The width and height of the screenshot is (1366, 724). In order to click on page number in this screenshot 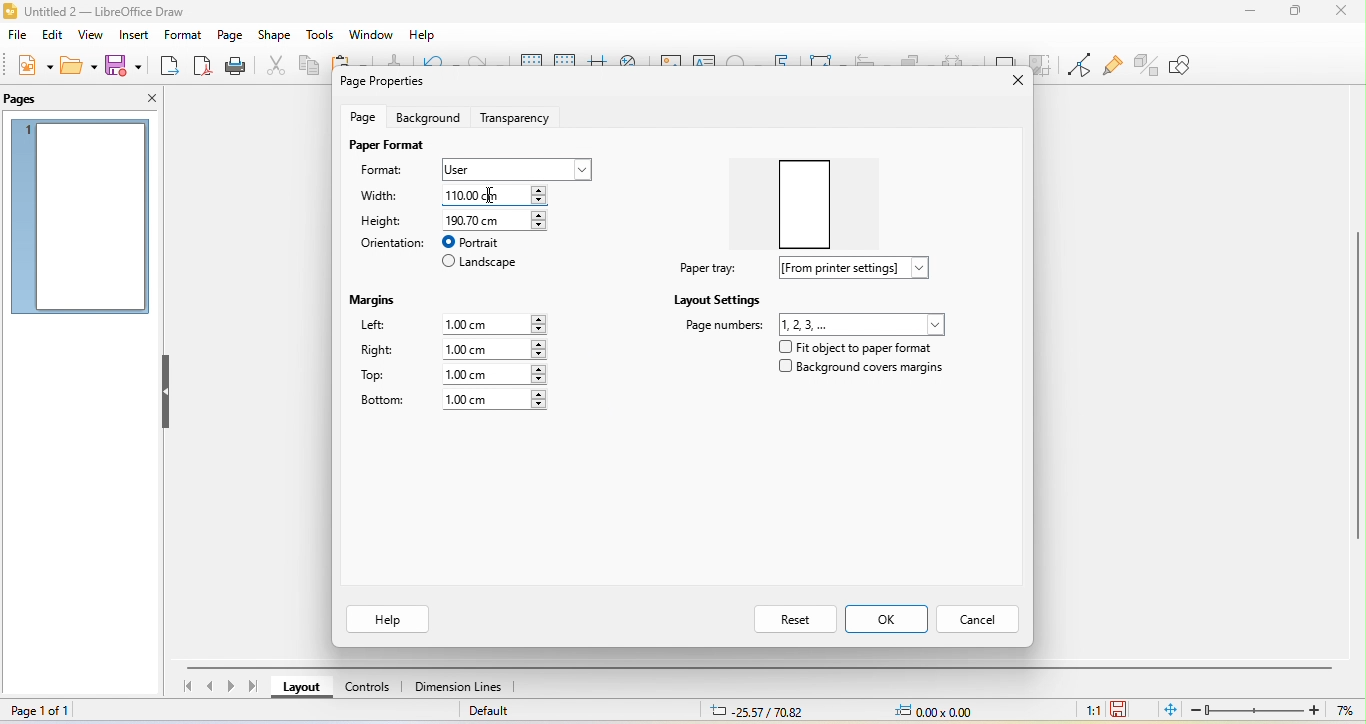, I will do `click(816, 323)`.